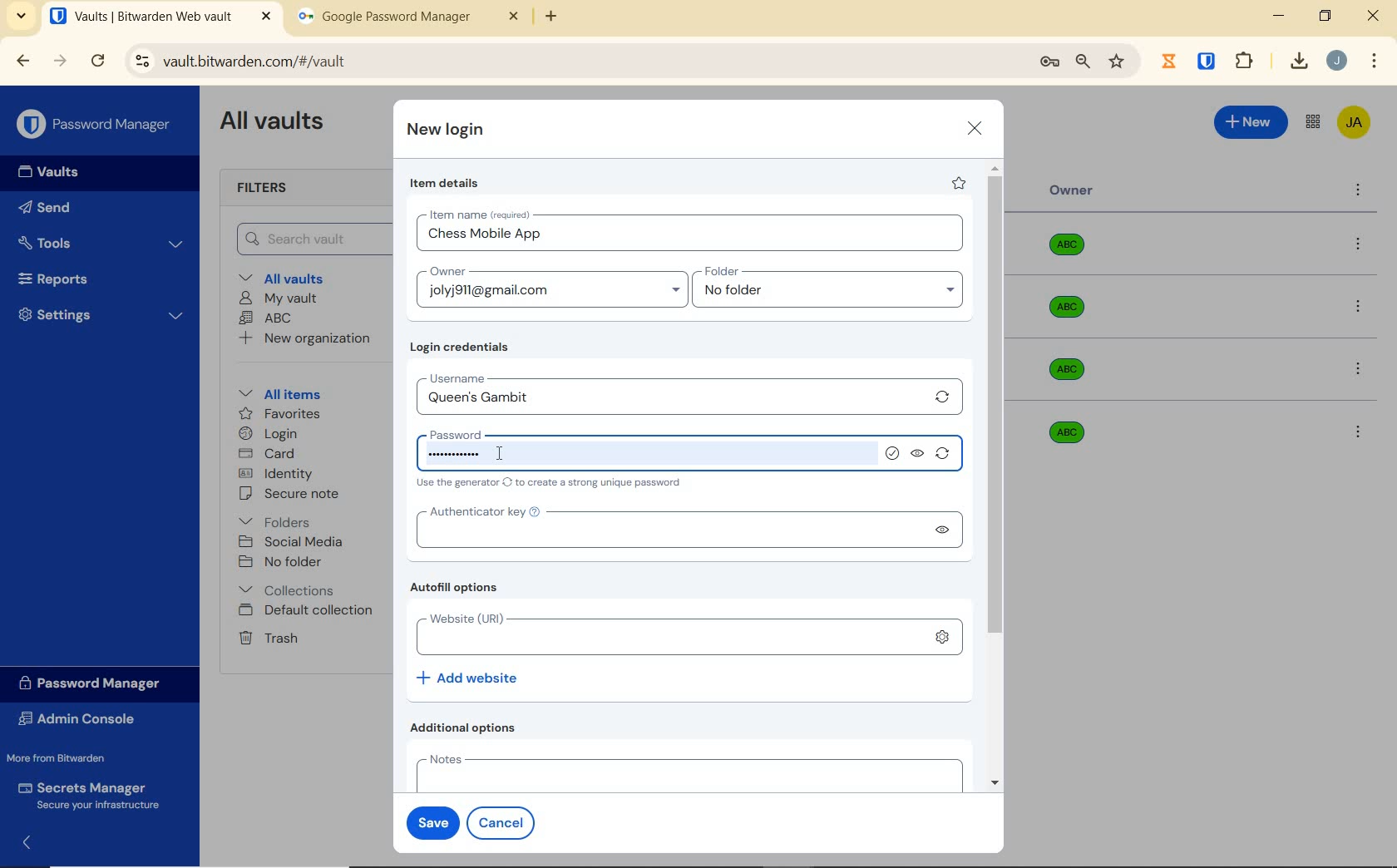 The width and height of the screenshot is (1397, 868). What do you see at coordinates (957, 183) in the screenshot?
I see `favorite` at bounding box center [957, 183].